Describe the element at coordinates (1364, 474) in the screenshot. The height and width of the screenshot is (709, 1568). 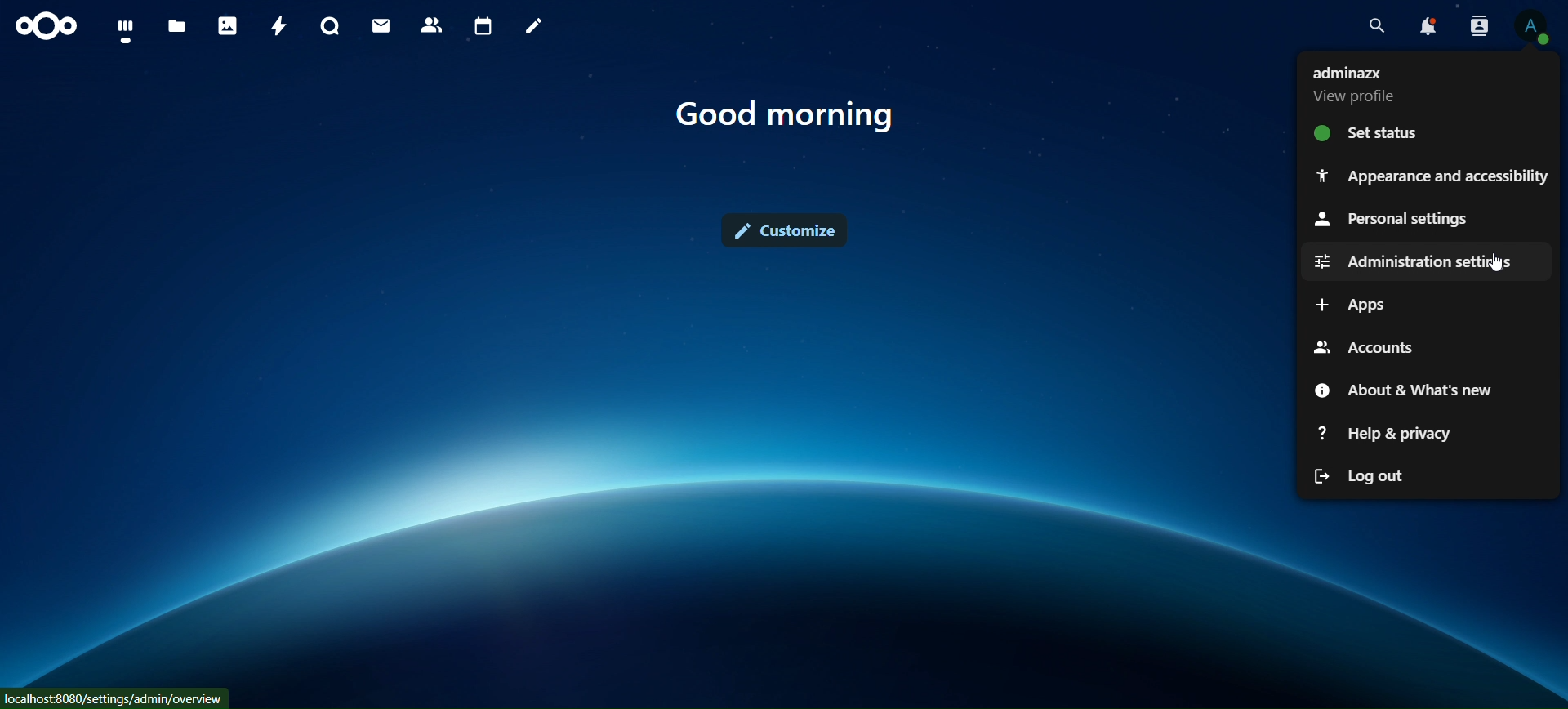
I see `log out` at that location.